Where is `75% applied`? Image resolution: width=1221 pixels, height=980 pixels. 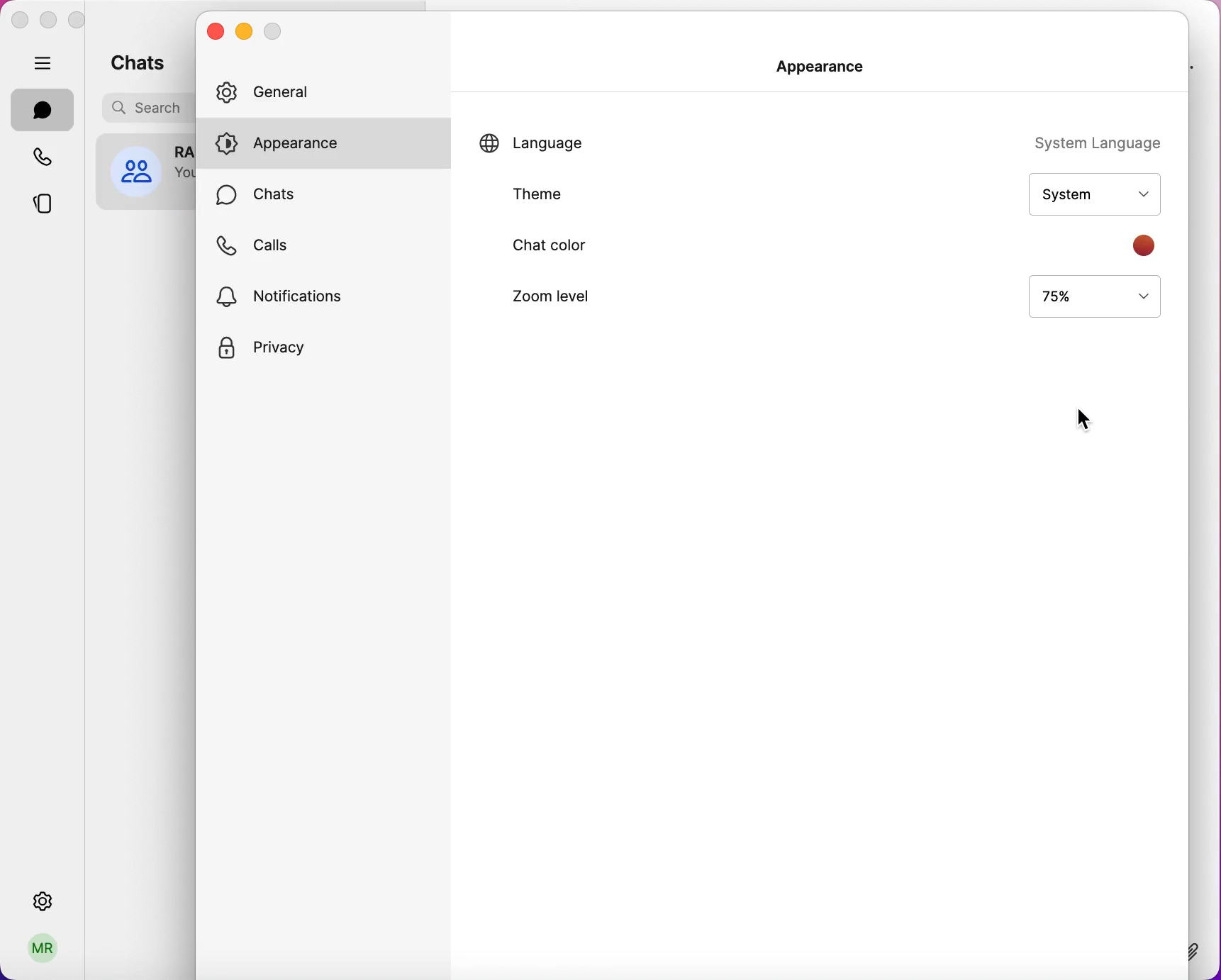 75% applied is located at coordinates (1091, 295).